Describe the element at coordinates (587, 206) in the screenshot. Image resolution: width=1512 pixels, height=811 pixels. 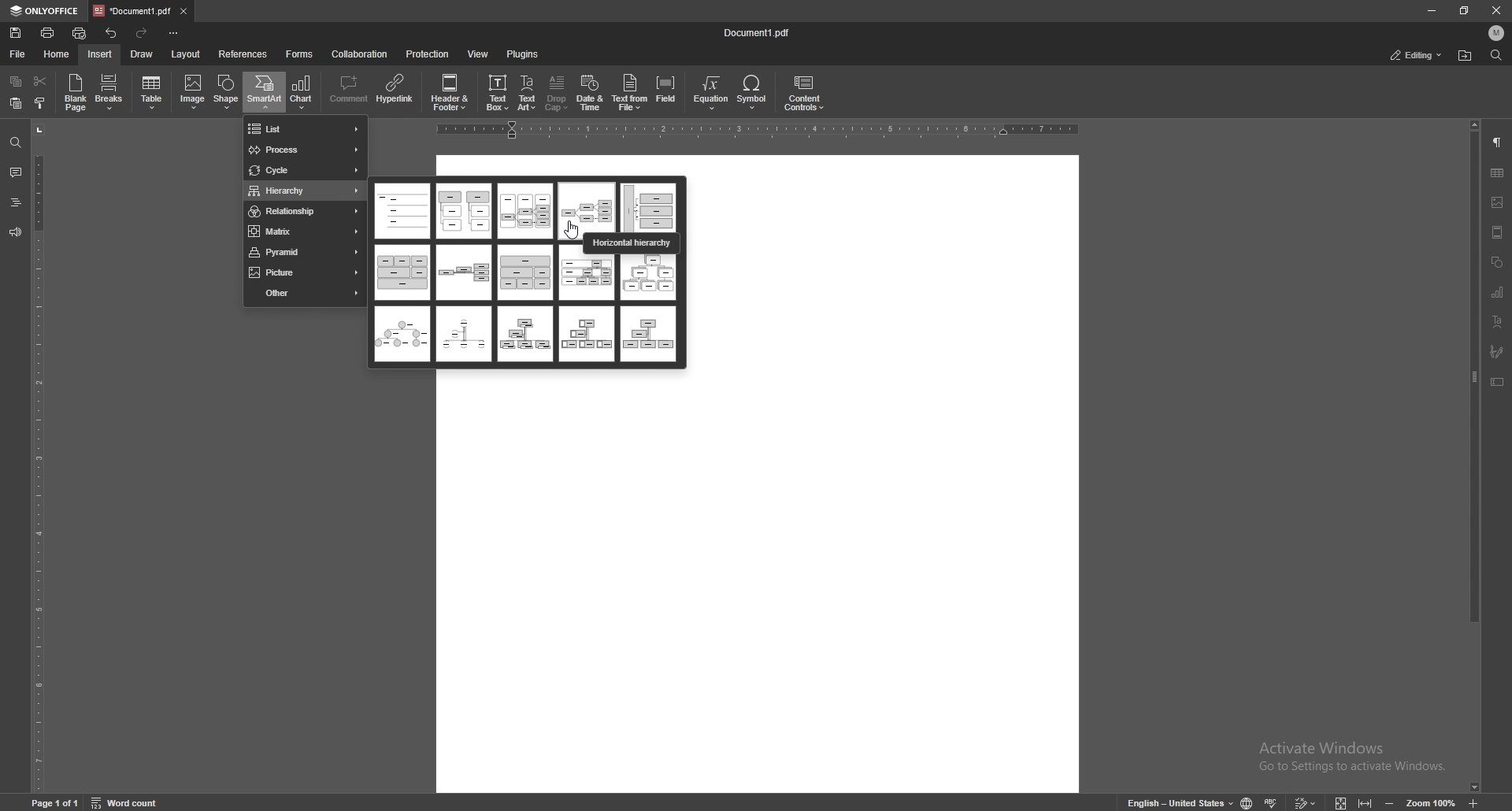
I see `hierarchy smart art` at that location.